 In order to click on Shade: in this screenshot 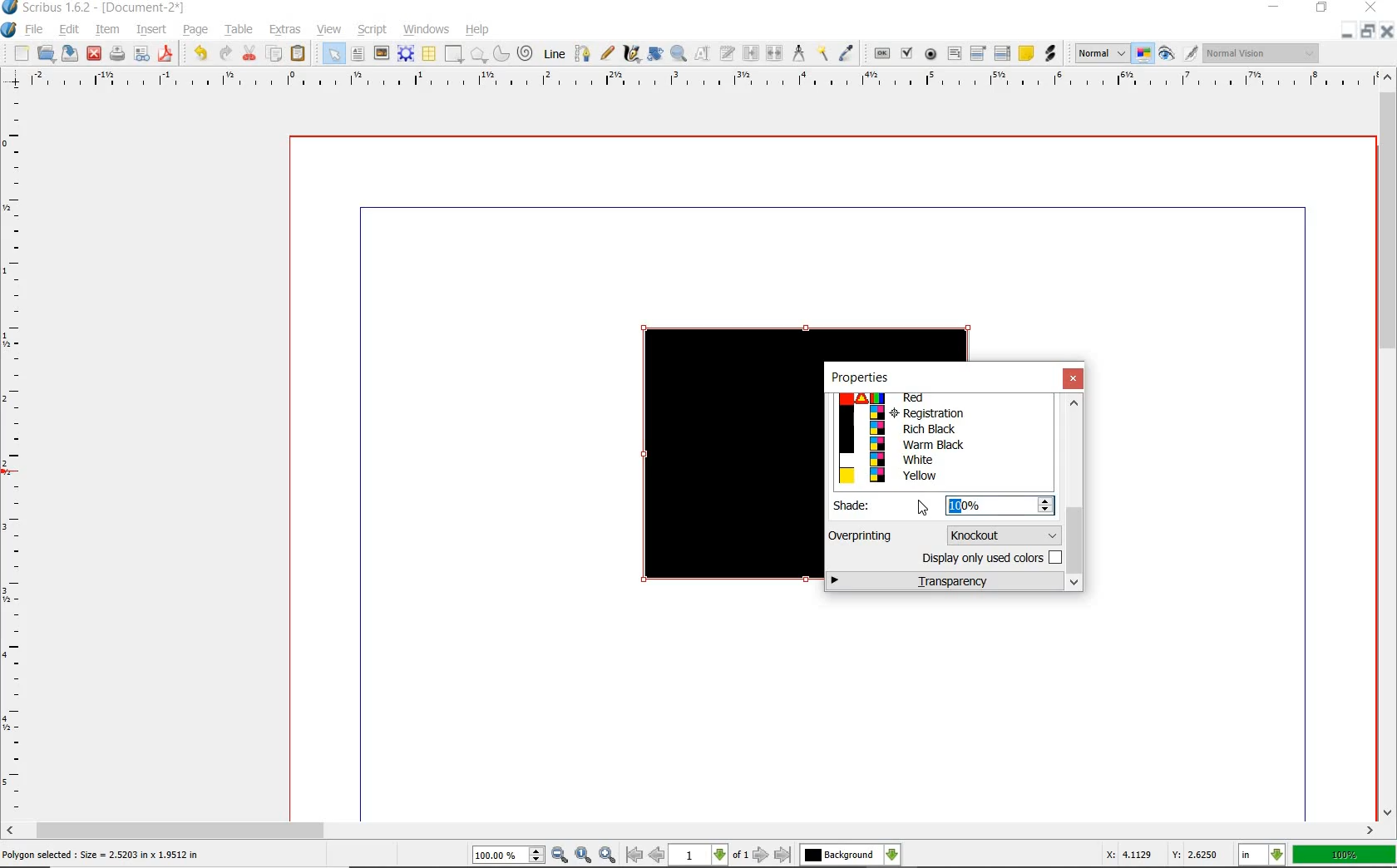, I will do `click(863, 506)`.